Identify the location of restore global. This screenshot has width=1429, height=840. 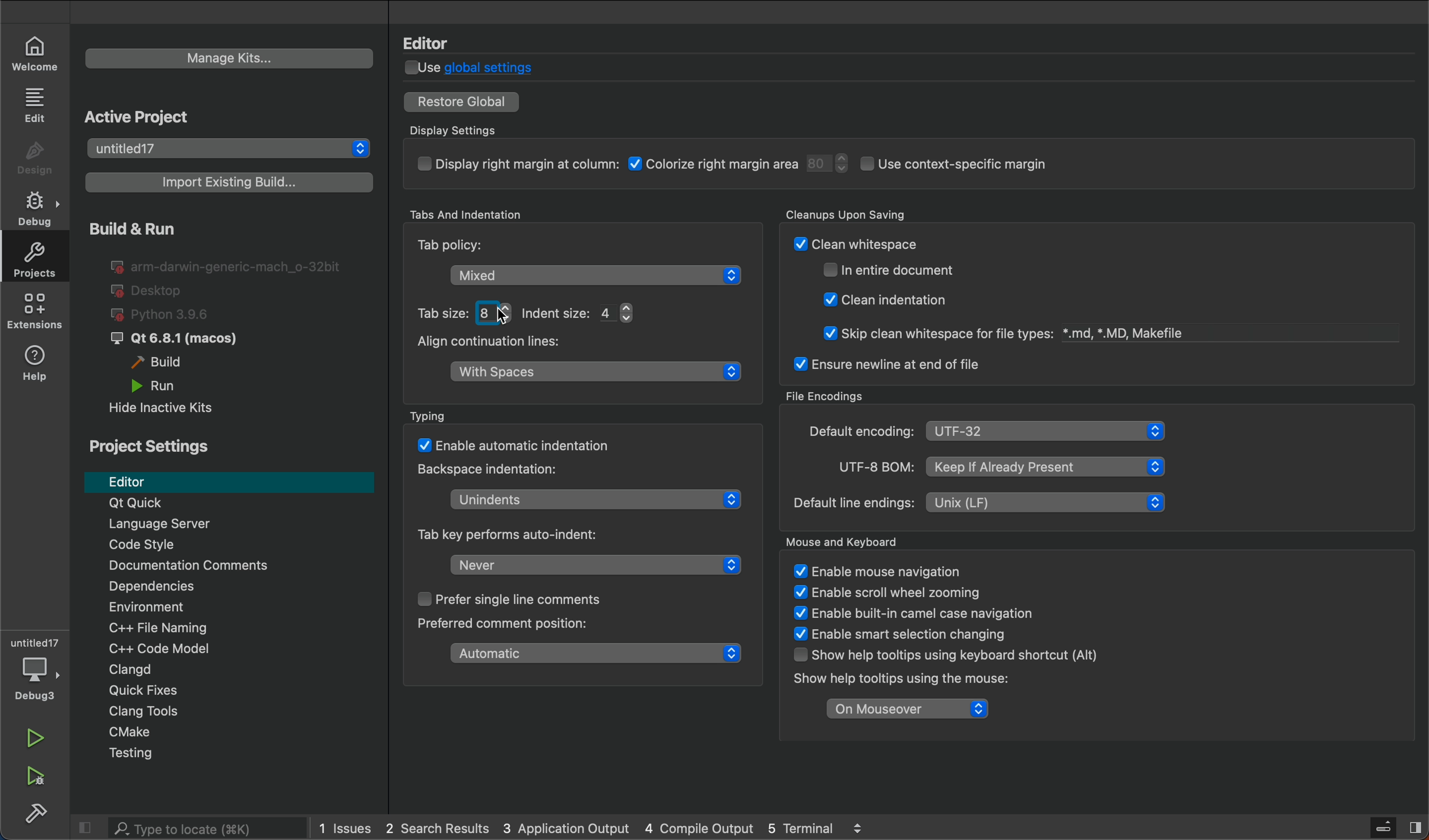
(463, 101).